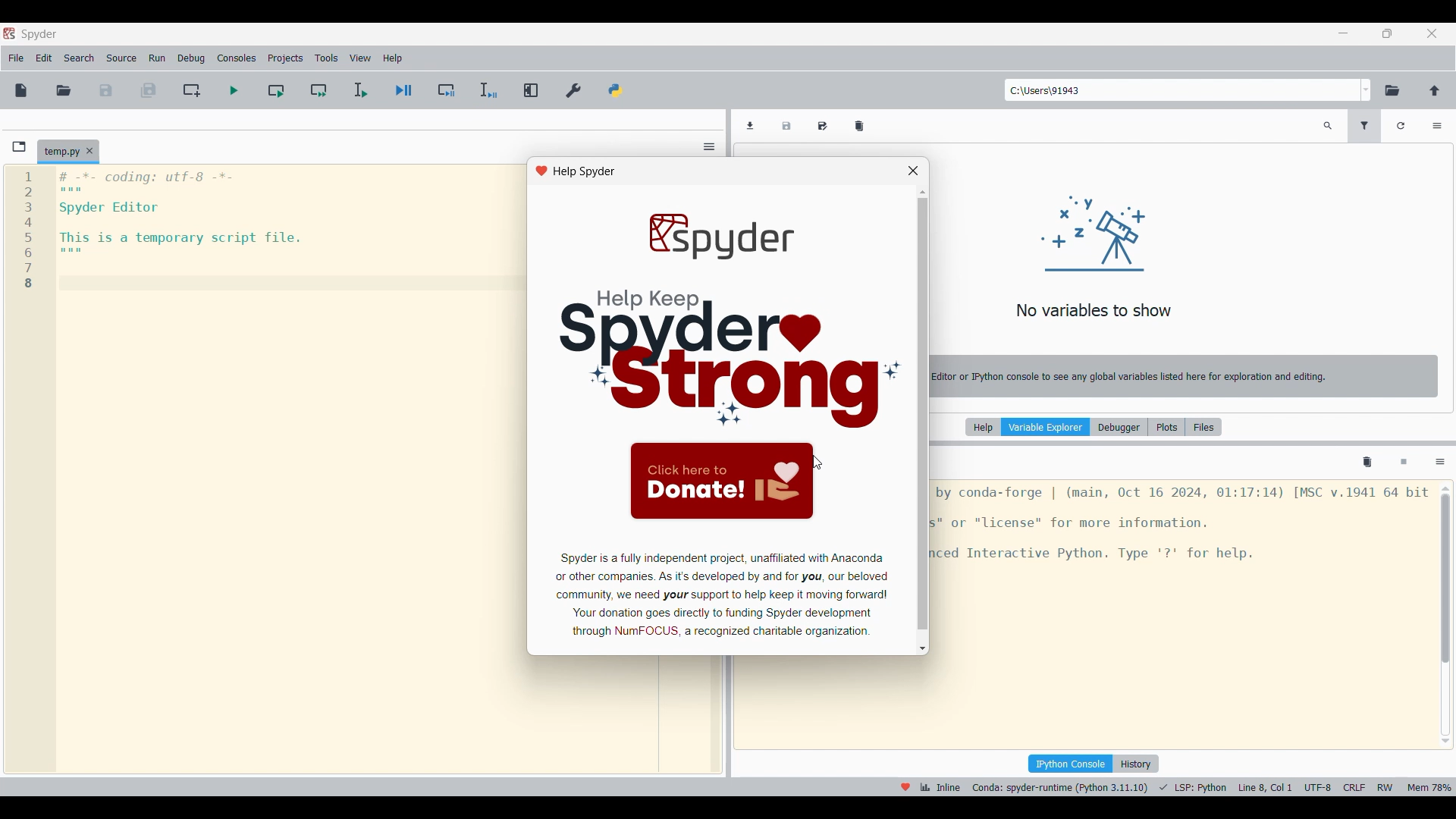 The height and width of the screenshot is (819, 1456). I want to click on Help, so click(983, 427).